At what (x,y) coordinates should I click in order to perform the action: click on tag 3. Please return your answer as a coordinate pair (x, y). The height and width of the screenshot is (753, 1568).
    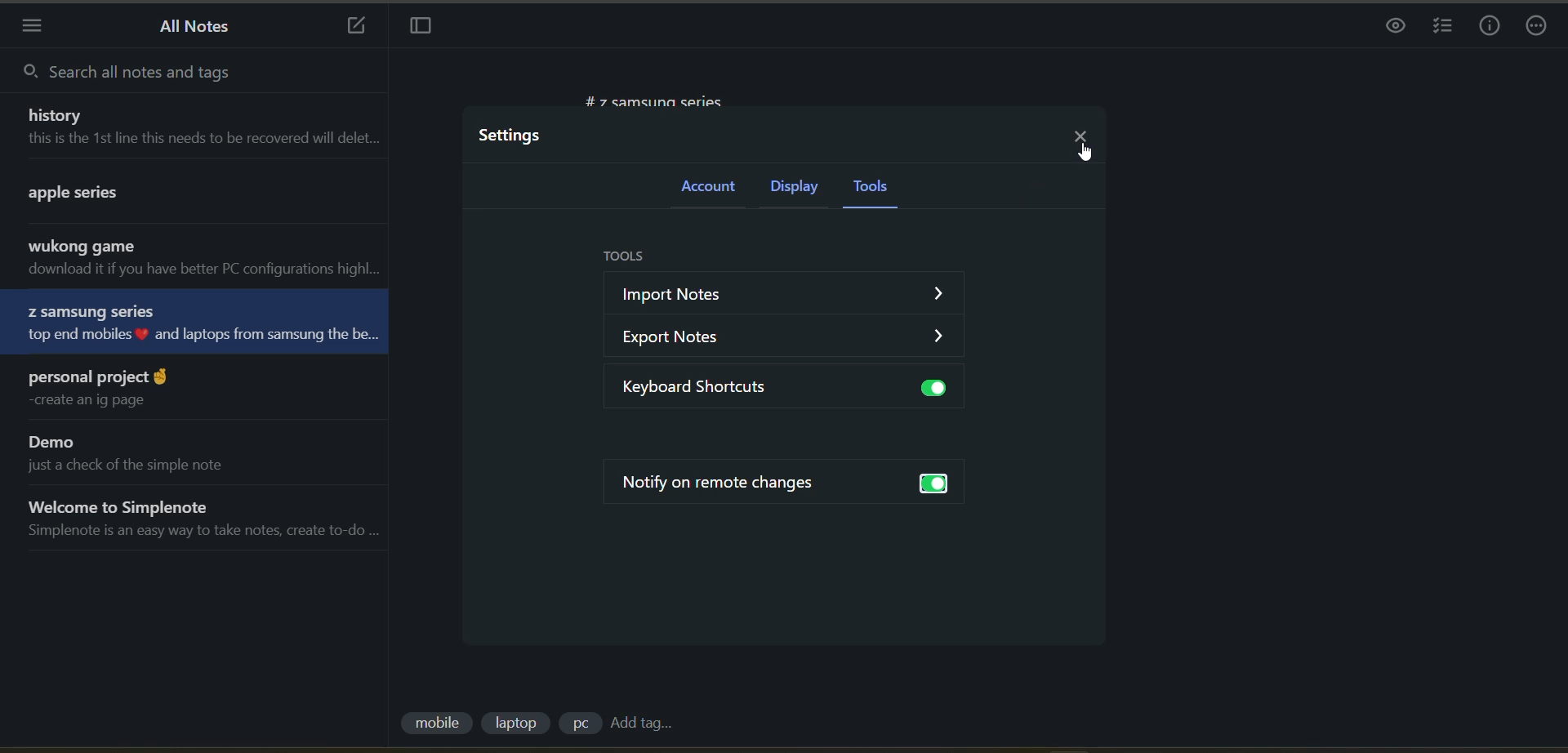
    Looking at the image, I should click on (577, 726).